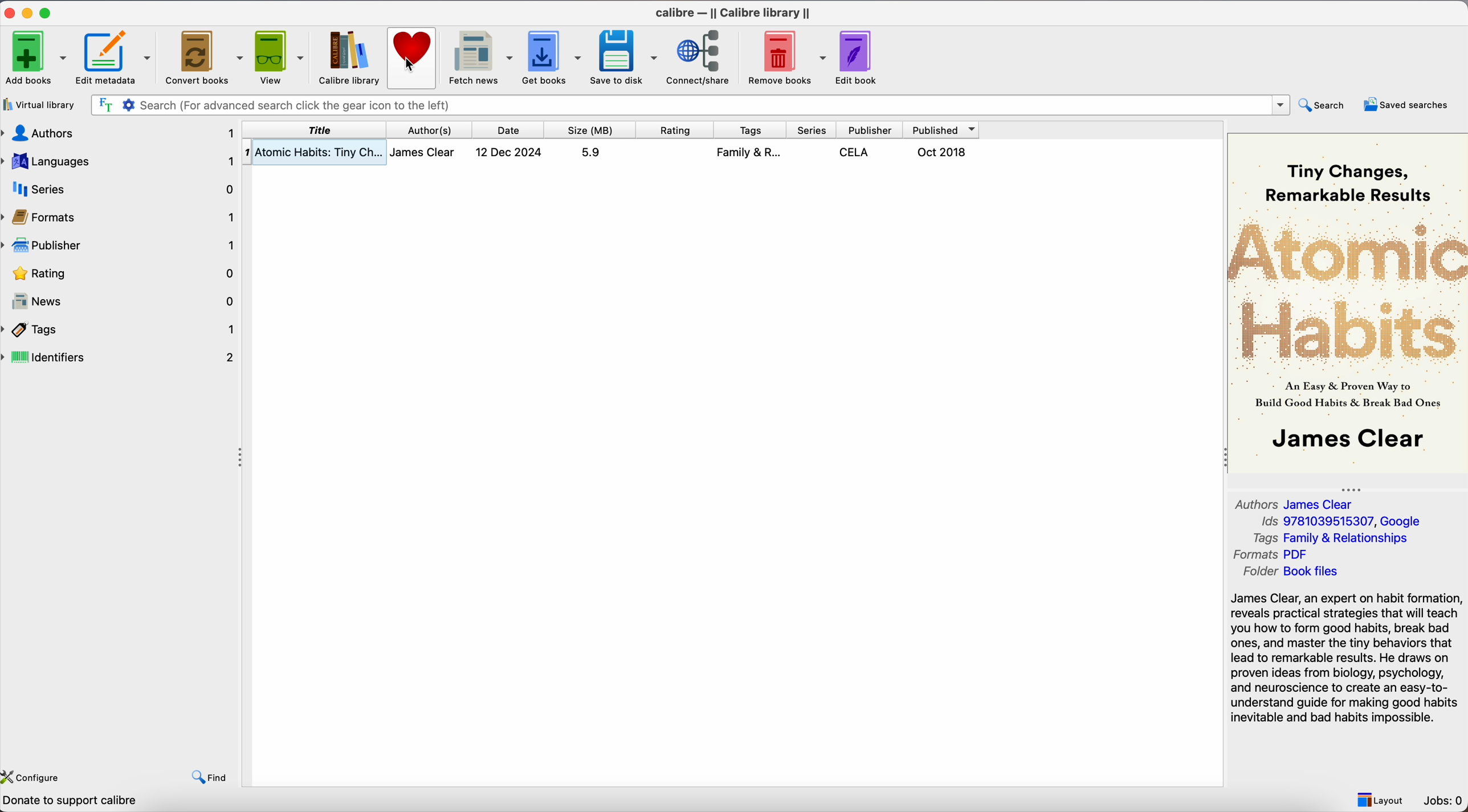 This screenshot has height=812, width=1468. Describe the element at coordinates (749, 129) in the screenshot. I see `tags` at that location.